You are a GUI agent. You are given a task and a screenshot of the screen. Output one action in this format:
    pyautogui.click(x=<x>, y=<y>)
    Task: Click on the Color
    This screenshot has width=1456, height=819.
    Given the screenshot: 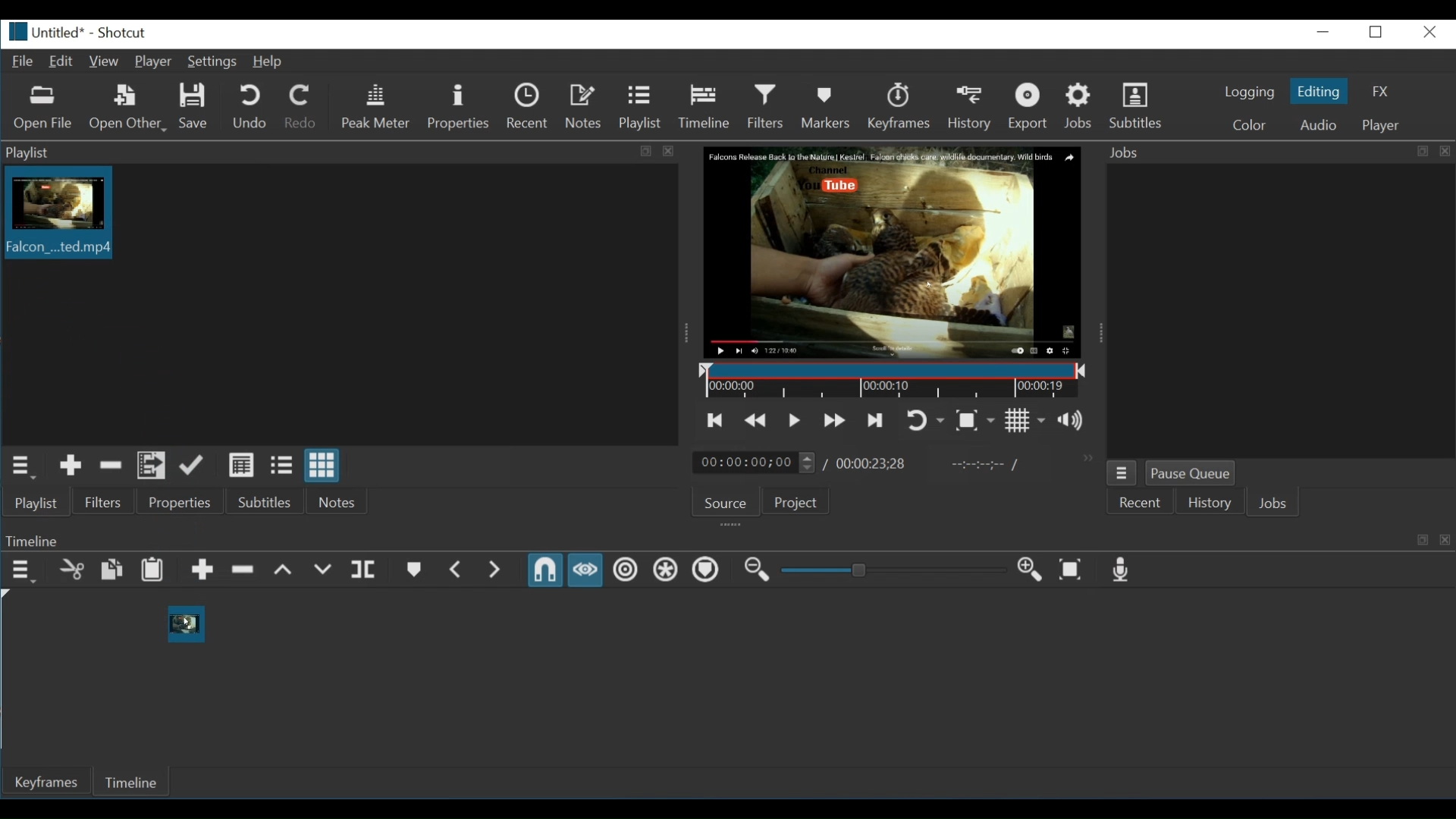 What is the action you would take?
    pyautogui.click(x=1250, y=124)
    